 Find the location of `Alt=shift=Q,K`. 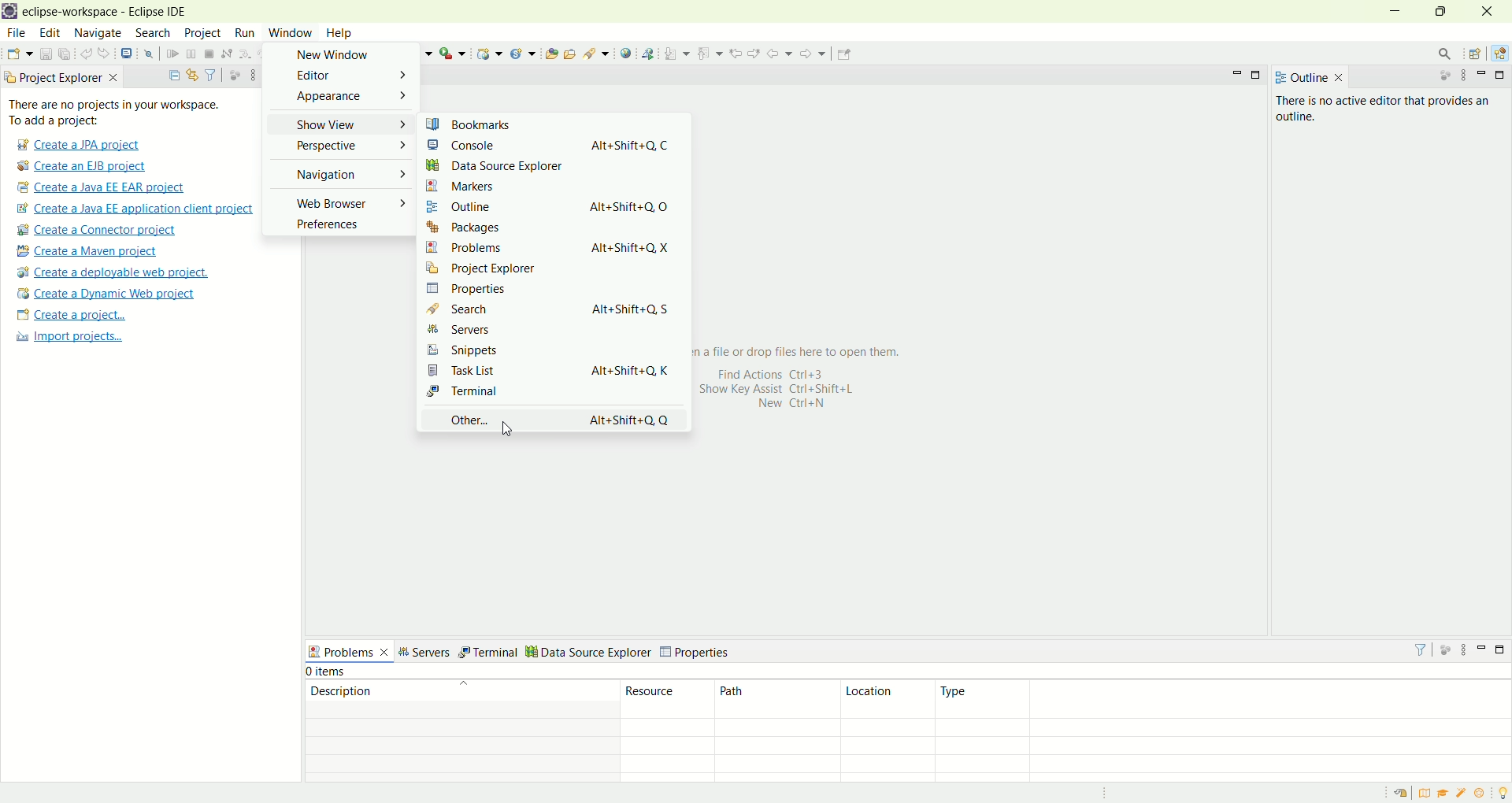

Alt=shift=Q,K is located at coordinates (639, 369).